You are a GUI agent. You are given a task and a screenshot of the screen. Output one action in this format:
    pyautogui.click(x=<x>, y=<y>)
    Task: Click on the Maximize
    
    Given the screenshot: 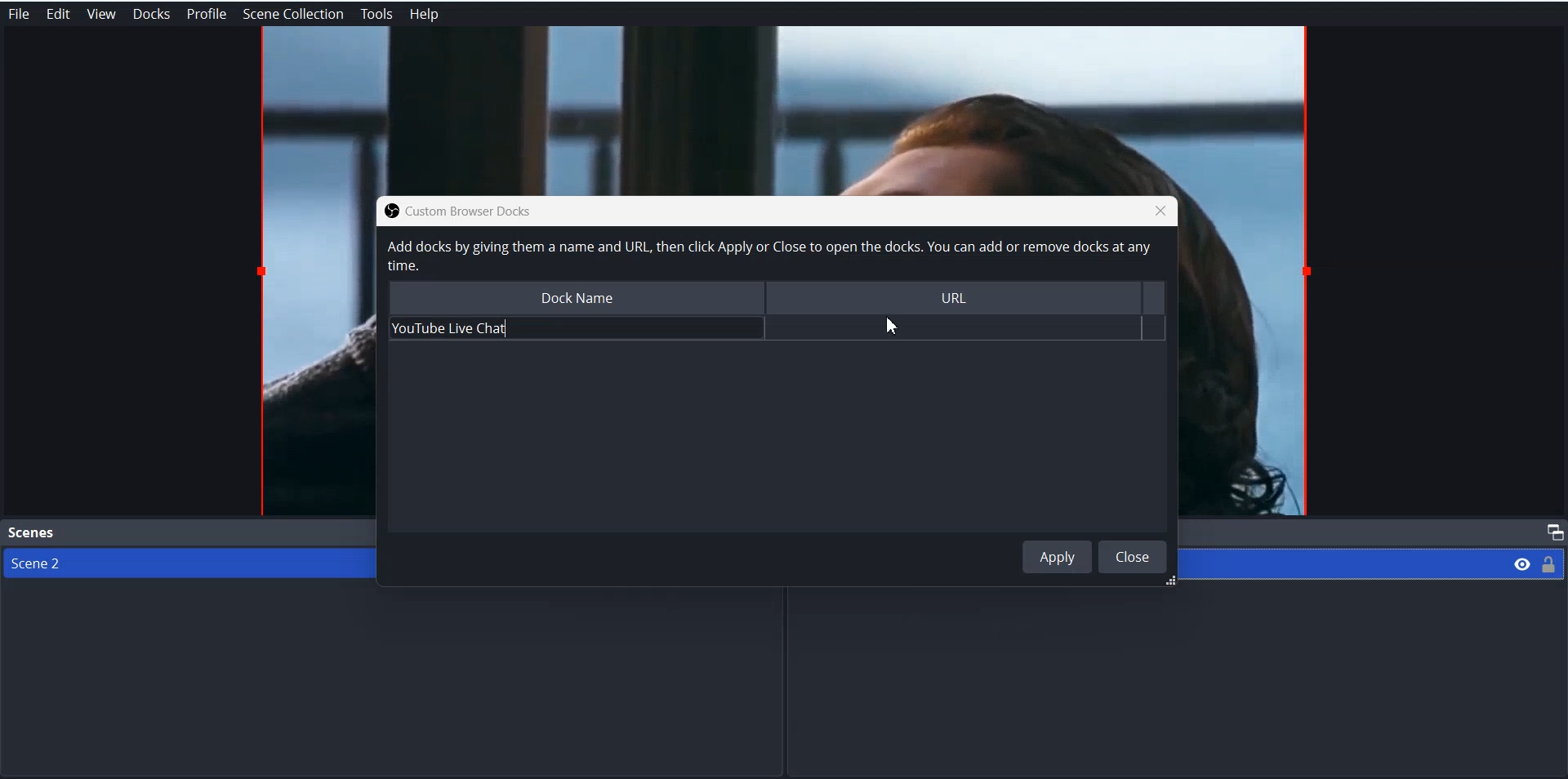 What is the action you would take?
    pyautogui.click(x=1552, y=532)
    